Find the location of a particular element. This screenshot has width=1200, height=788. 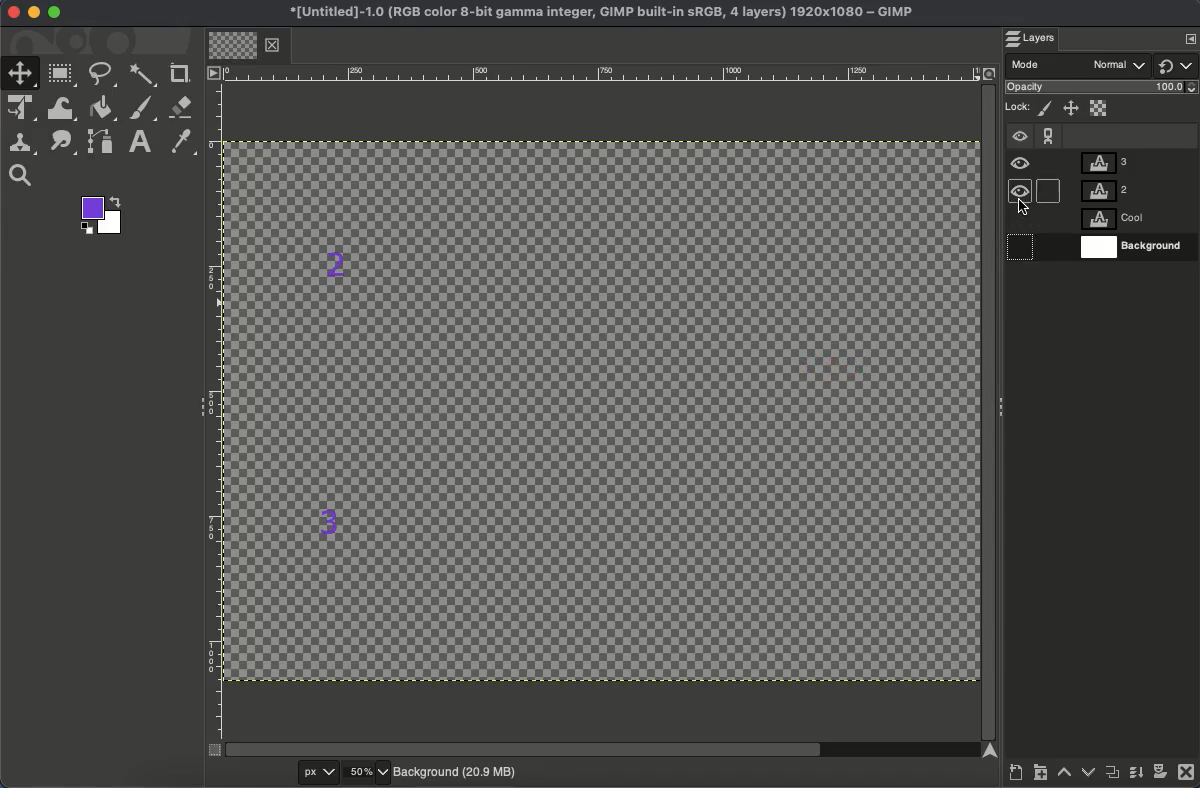

Path is located at coordinates (103, 145).